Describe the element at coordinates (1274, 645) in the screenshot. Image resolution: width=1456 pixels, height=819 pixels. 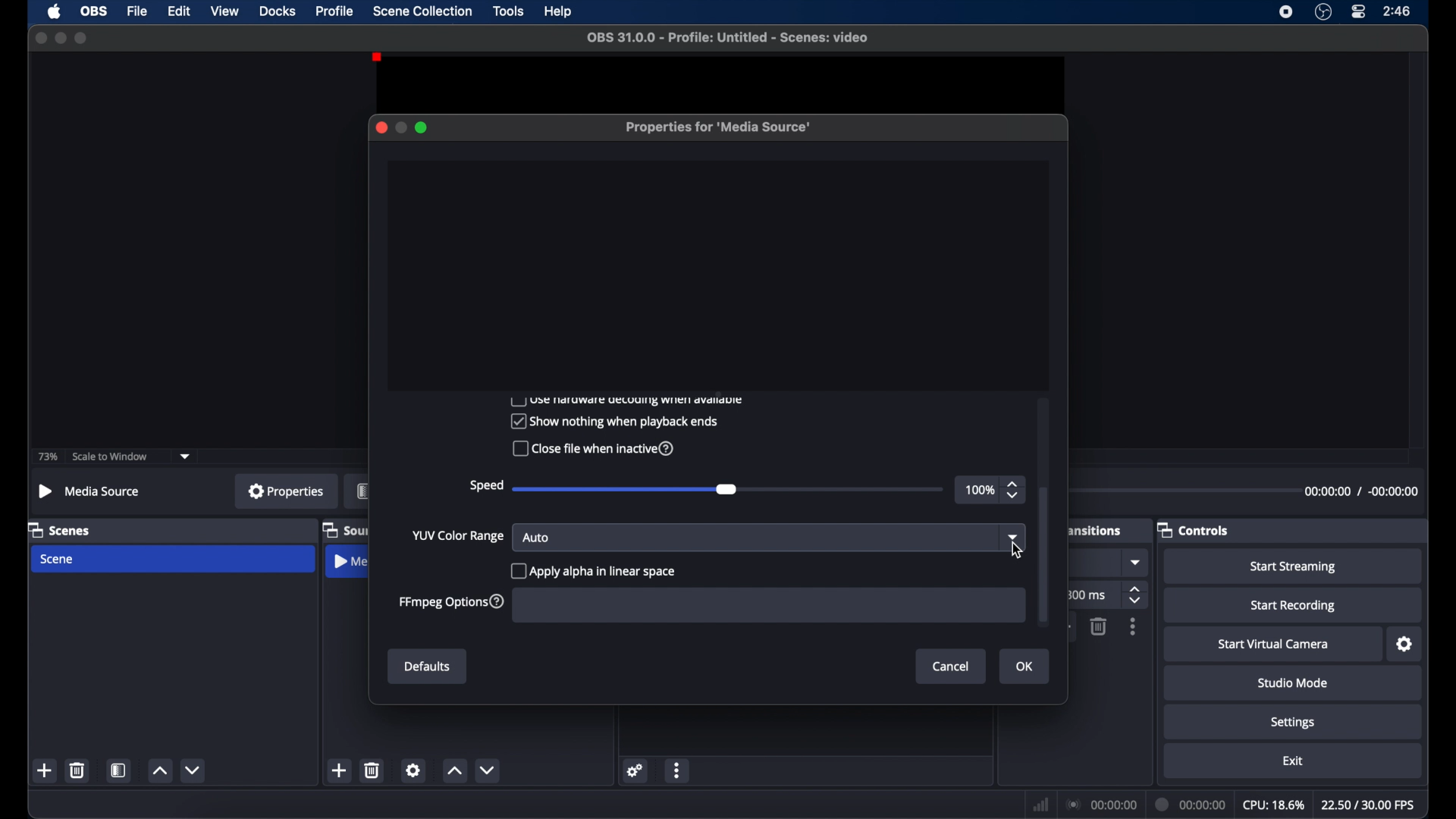
I see `start virtual camera` at that location.